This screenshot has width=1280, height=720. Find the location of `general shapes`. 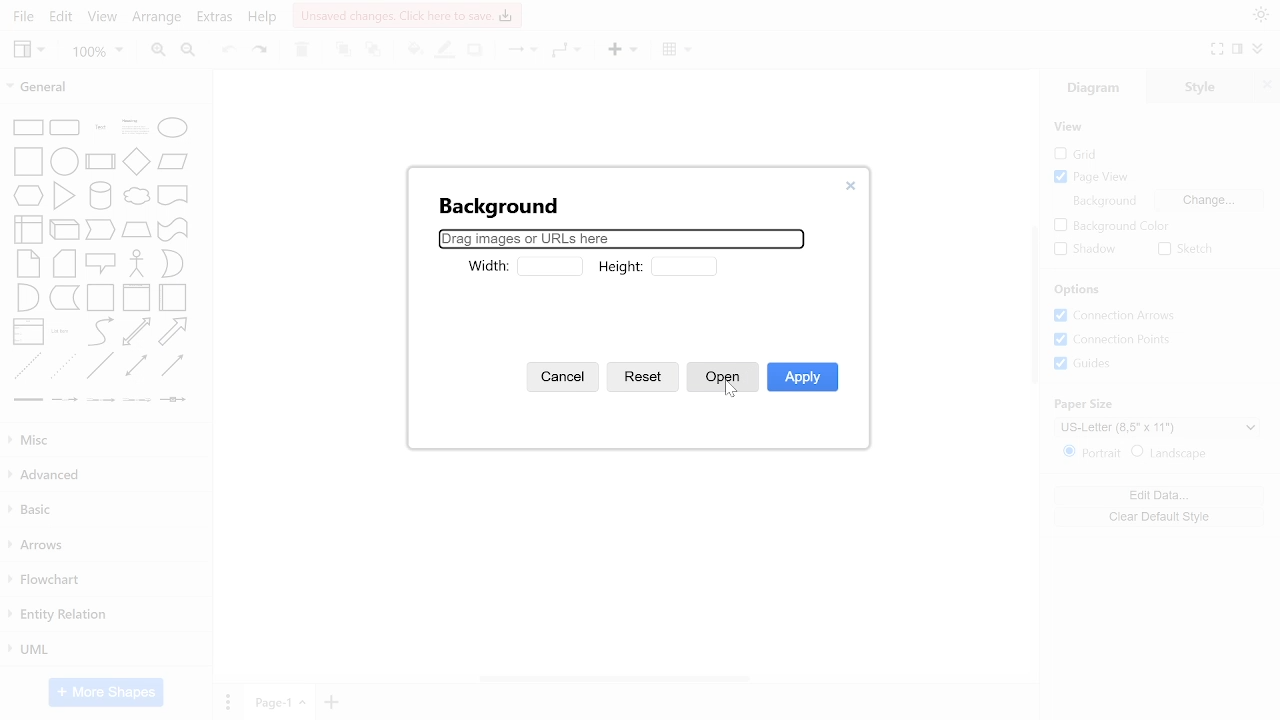

general shapes is located at coordinates (97, 365).